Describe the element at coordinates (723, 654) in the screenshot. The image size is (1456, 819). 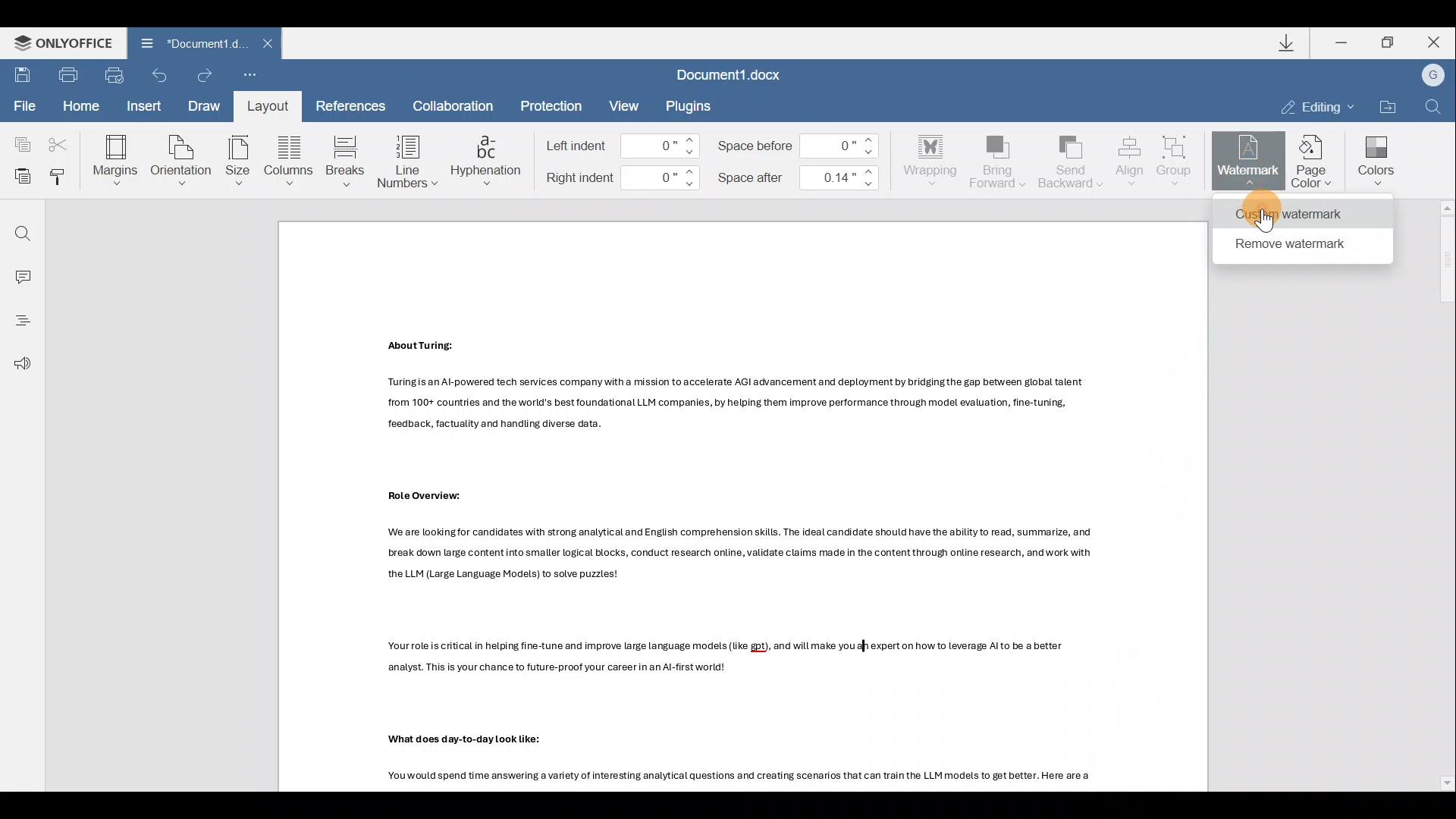
I see `` at that location.